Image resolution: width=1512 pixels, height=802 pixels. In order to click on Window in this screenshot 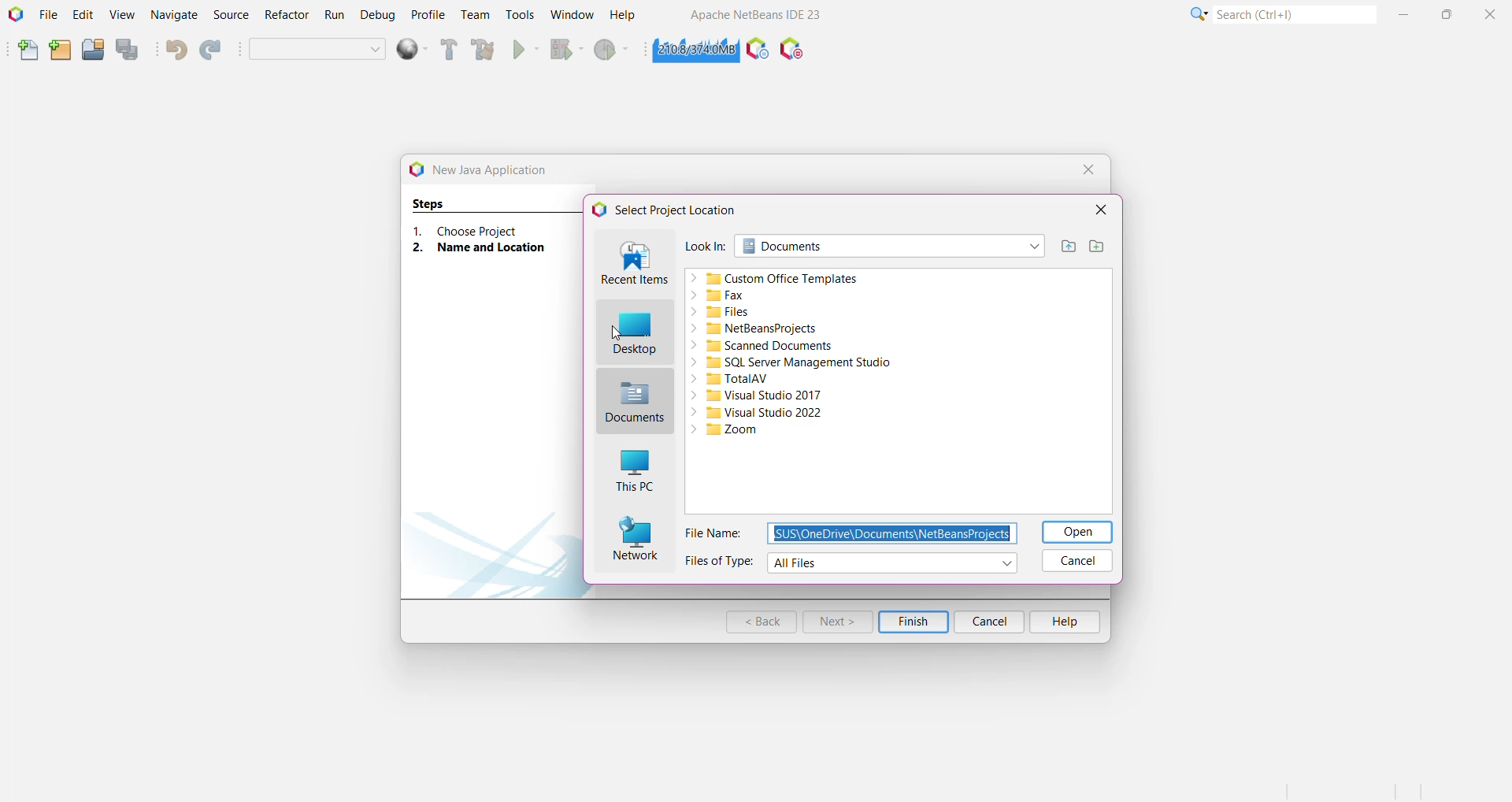, I will do `click(569, 16)`.